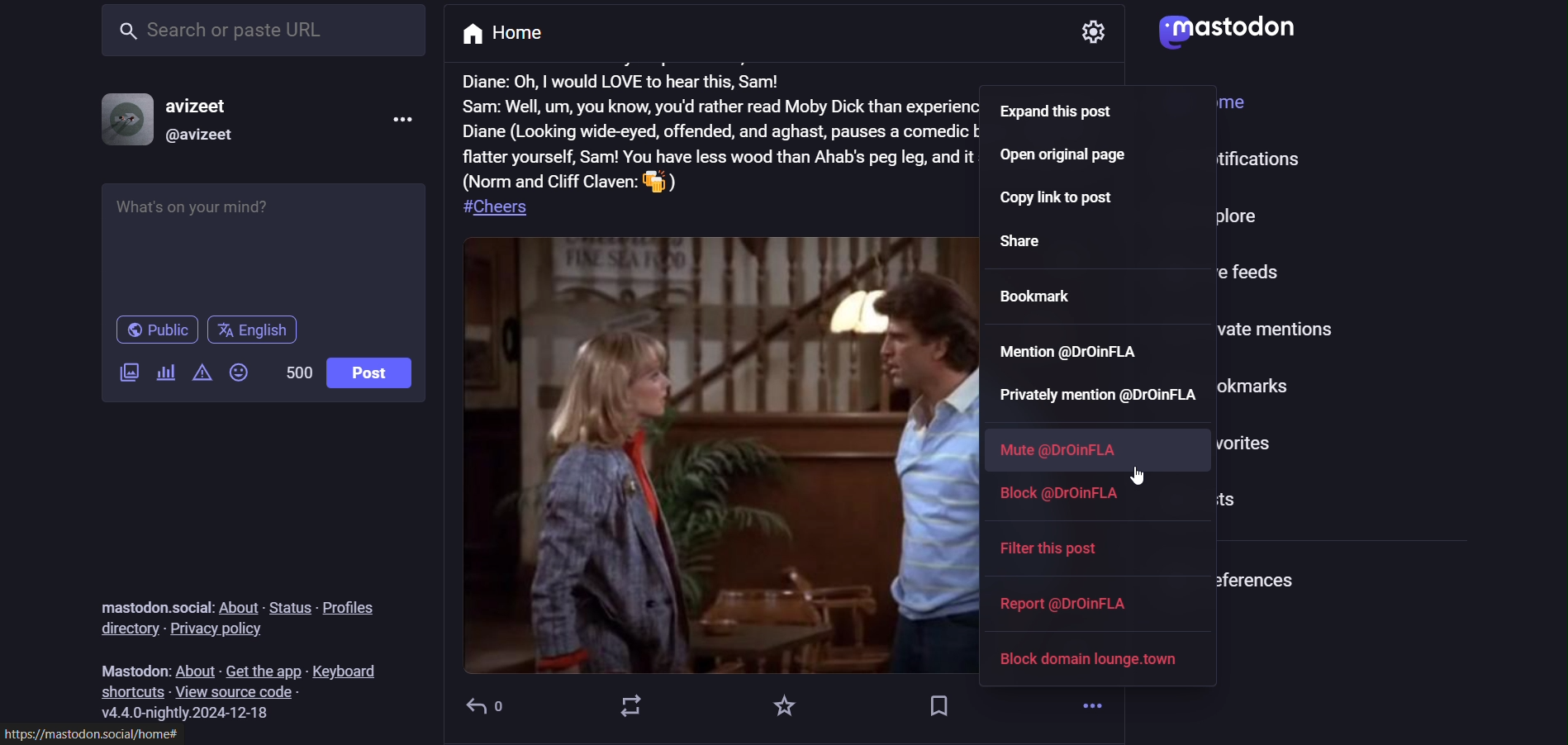 Image resolution: width=1568 pixels, height=745 pixels. What do you see at coordinates (165, 373) in the screenshot?
I see `add a poll` at bounding box center [165, 373].